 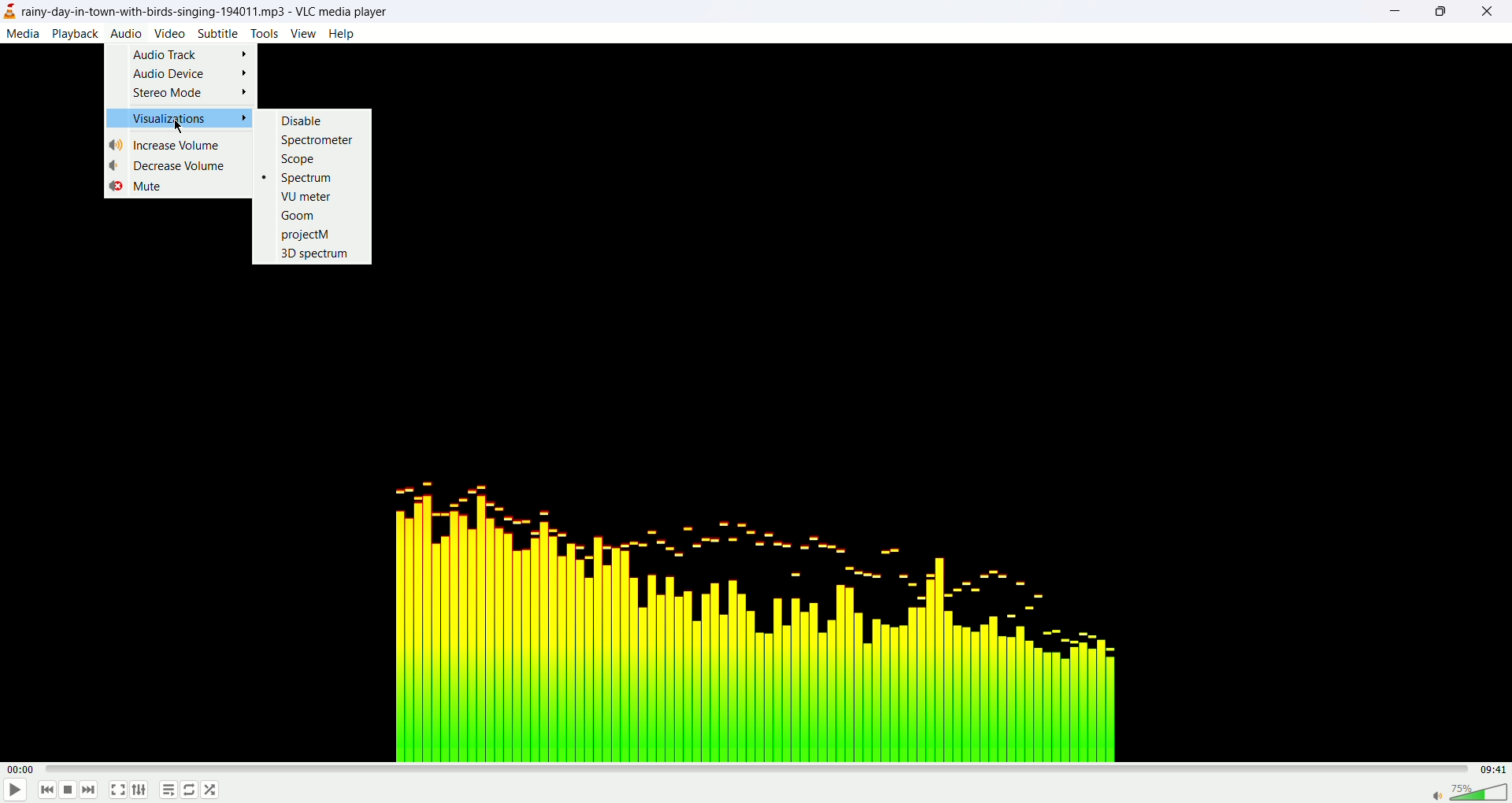 What do you see at coordinates (265, 33) in the screenshot?
I see `tools` at bounding box center [265, 33].